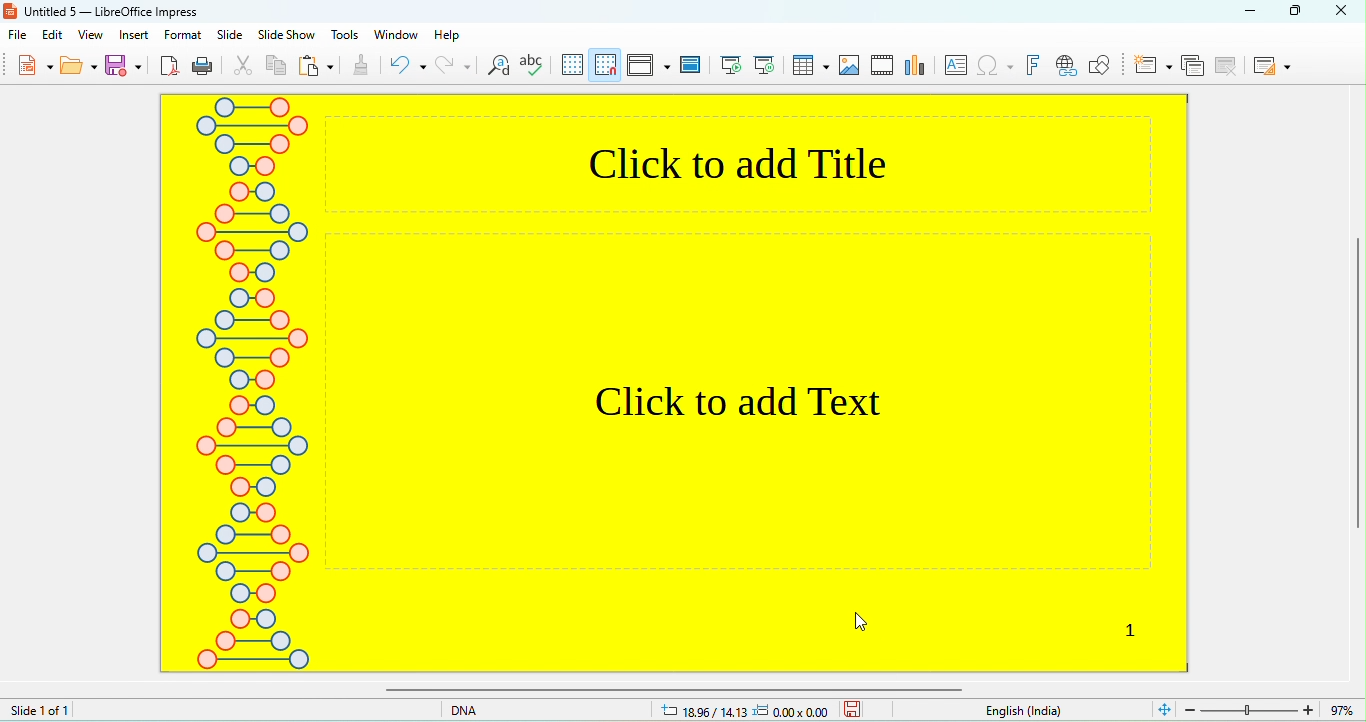  Describe the element at coordinates (535, 67) in the screenshot. I see `spelling` at that location.